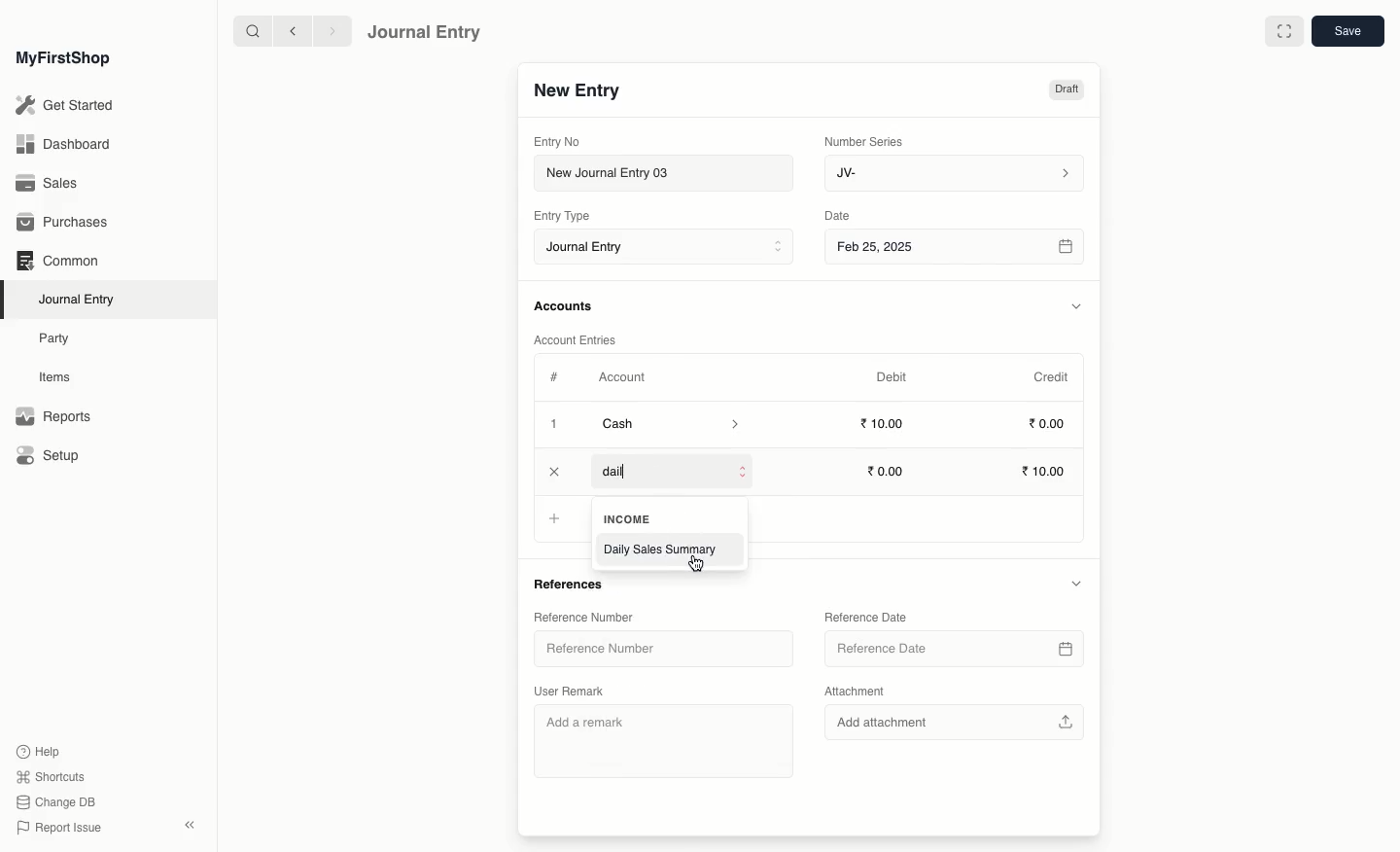  I want to click on Hide, so click(1077, 306).